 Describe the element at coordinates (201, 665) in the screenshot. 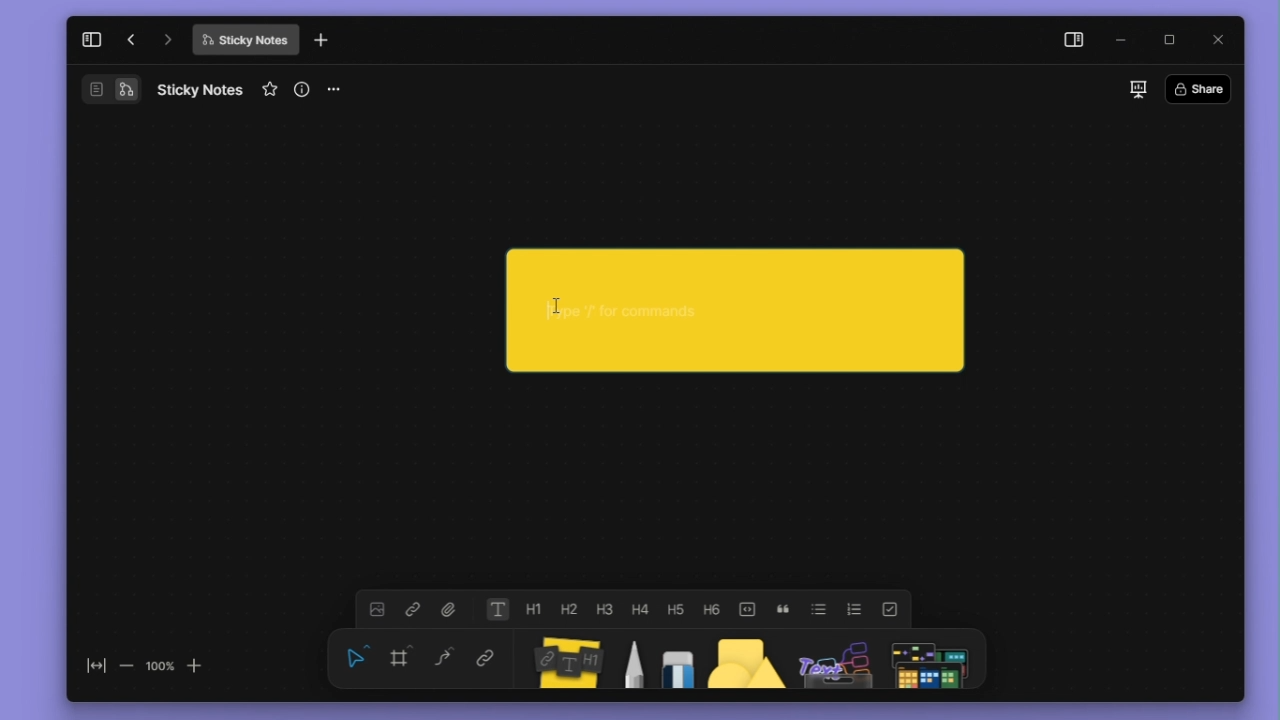

I see `zoom in` at that location.